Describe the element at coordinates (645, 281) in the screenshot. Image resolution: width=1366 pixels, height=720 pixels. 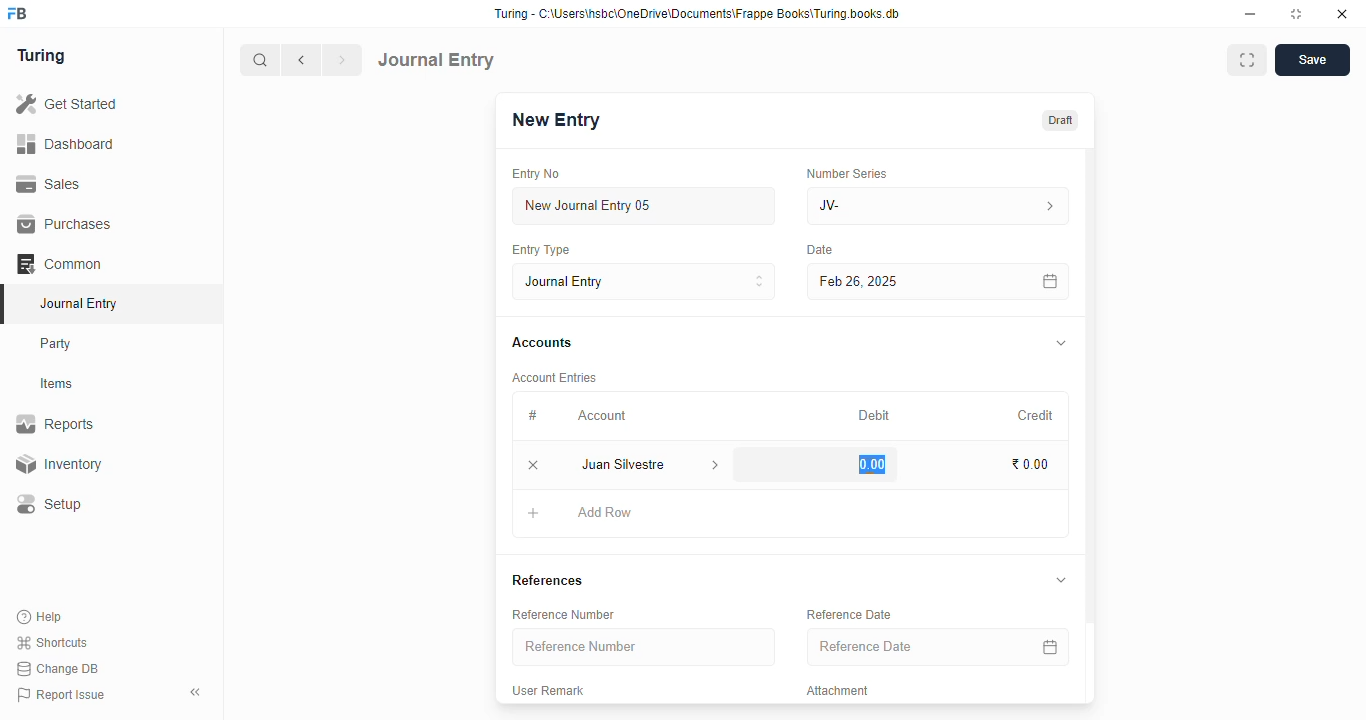
I see `journal entry` at that location.